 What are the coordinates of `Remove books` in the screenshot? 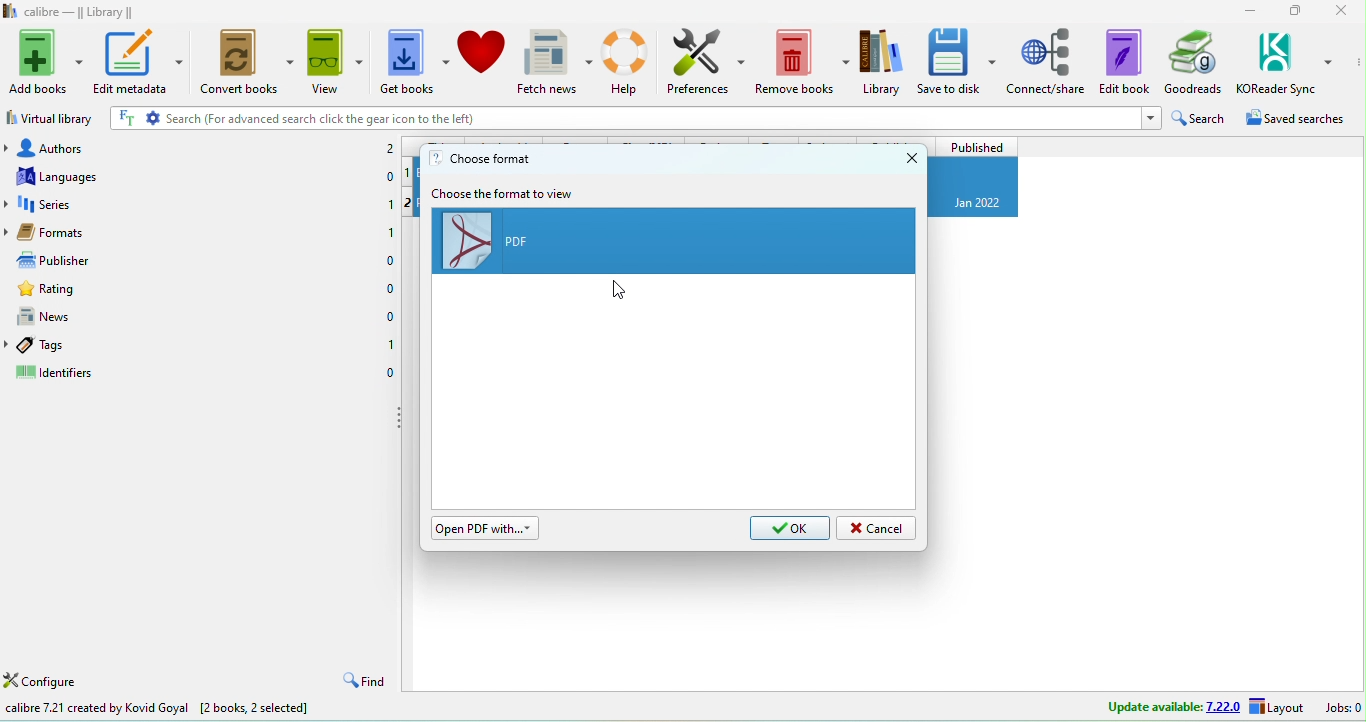 It's located at (804, 61).